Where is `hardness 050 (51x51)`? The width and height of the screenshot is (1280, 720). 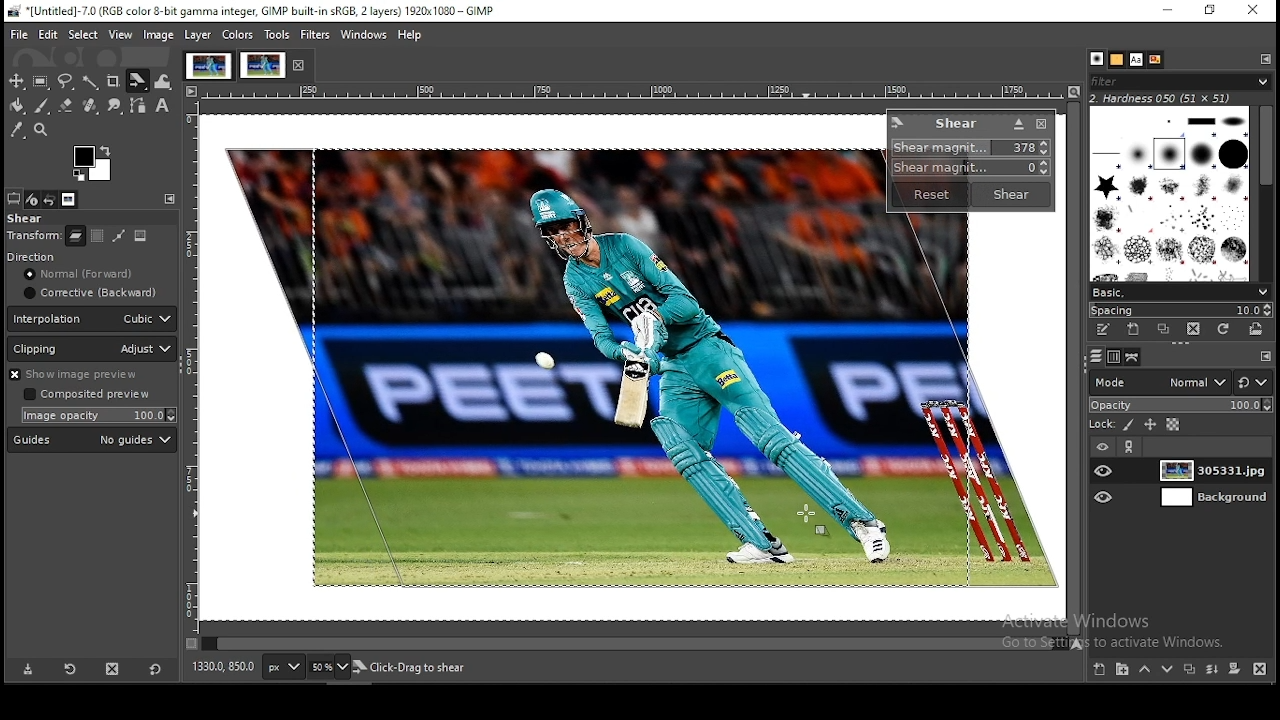 hardness 050 (51x51) is located at coordinates (1174, 99).